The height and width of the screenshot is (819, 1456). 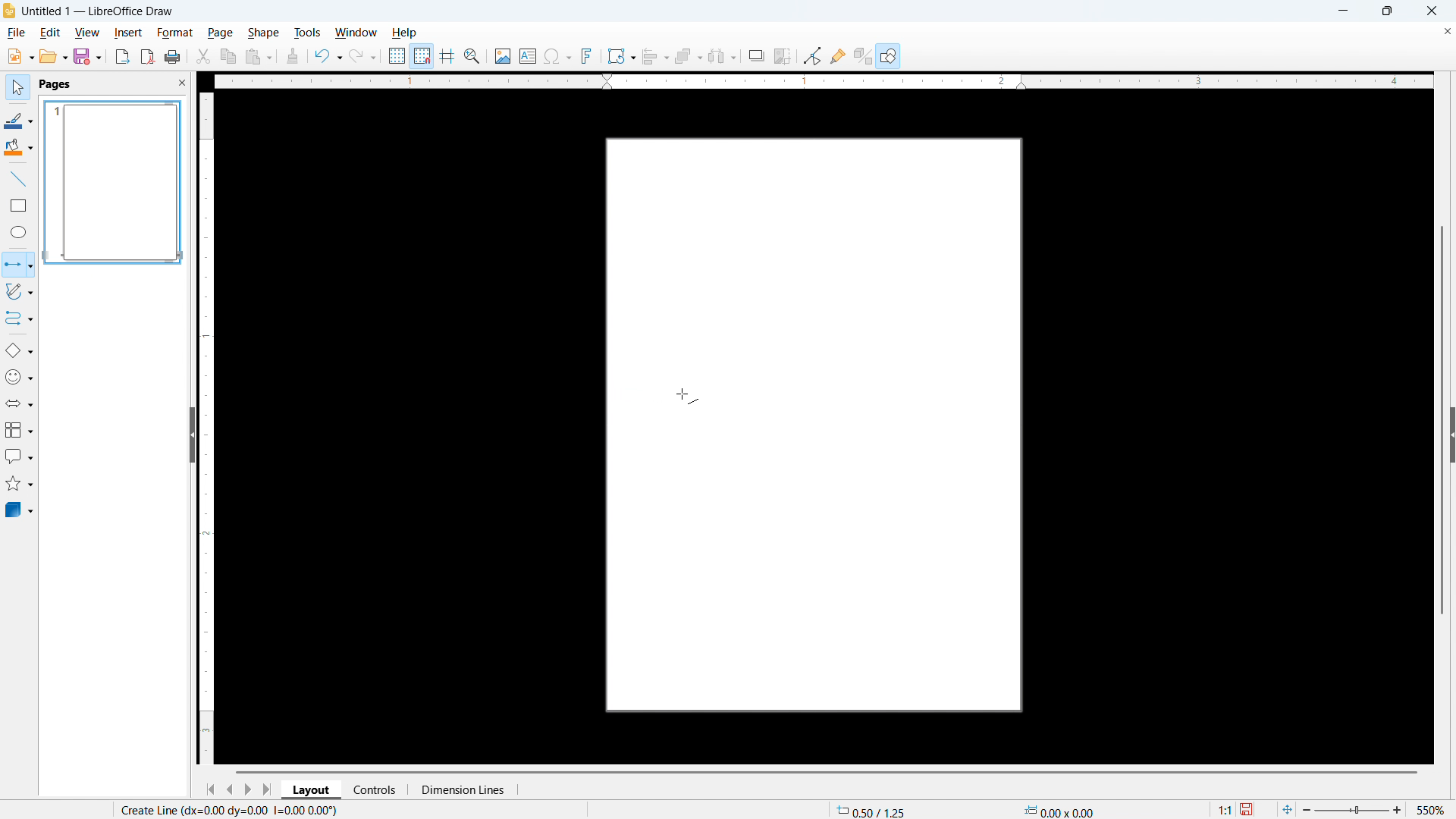 What do you see at coordinates (376, 789) in the screenshot?
I see `Controls ` at bounding box center [376, 789].